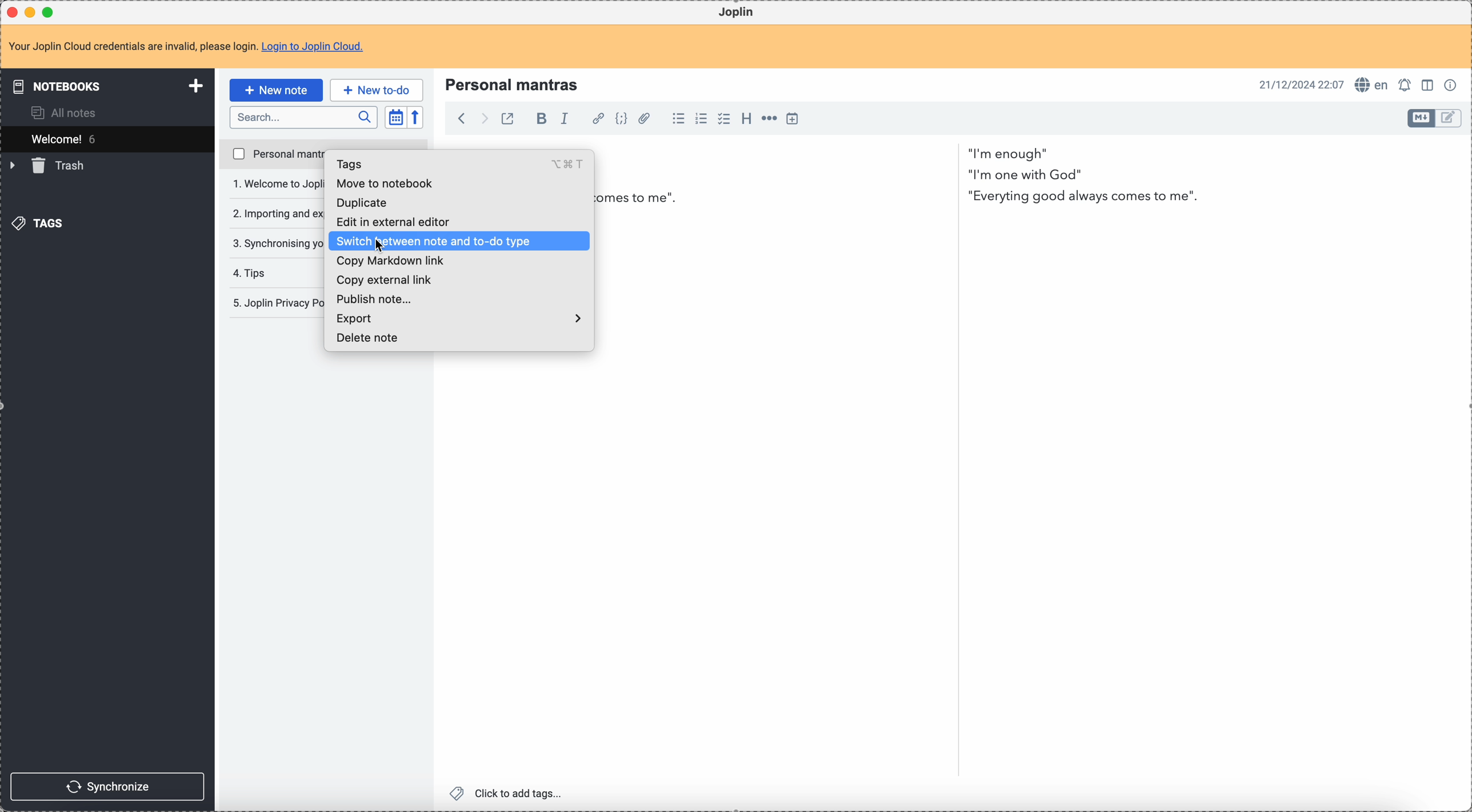 The image size is (1472, 812). What do you see at coordinates (701, 119) in the screenshot?
I see `numbered list` at bounding box center [701, 119].